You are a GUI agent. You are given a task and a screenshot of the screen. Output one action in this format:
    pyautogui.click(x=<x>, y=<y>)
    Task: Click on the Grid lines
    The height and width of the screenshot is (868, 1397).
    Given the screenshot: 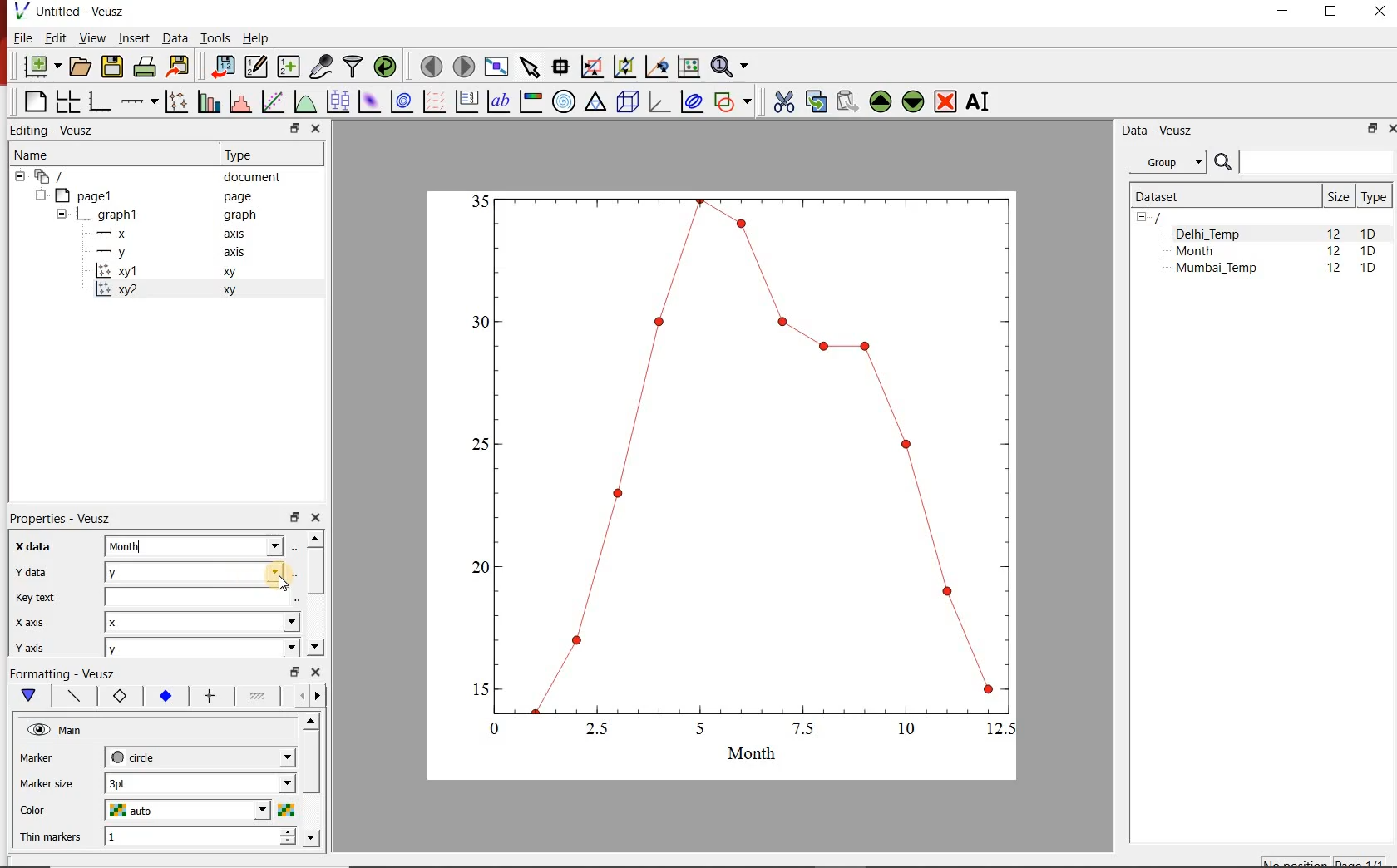 What is the action you would take?
    pyautogui.click(x=310, y=698)
    